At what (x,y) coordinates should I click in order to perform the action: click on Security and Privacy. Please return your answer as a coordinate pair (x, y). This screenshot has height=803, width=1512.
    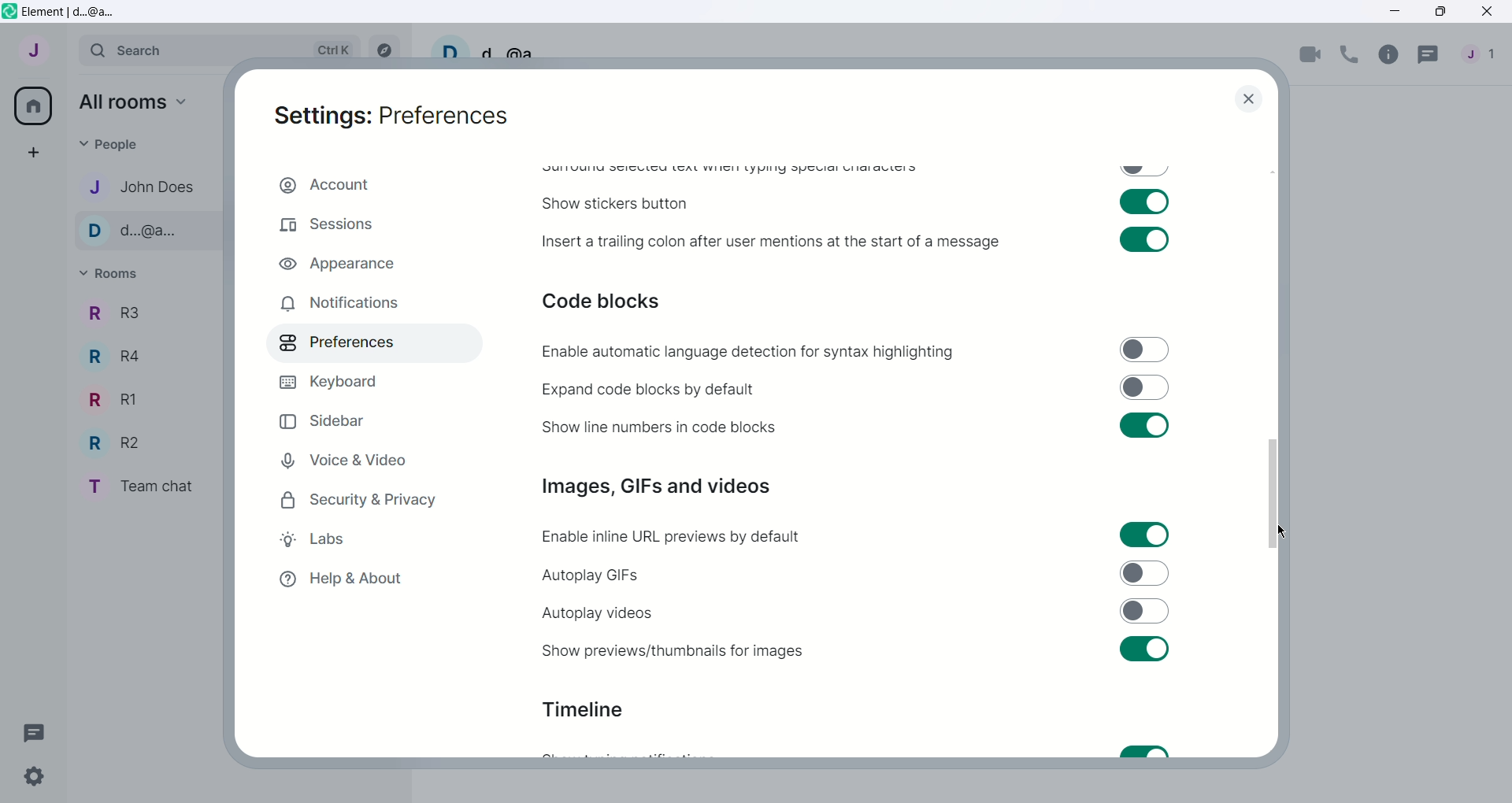
    Looking at the image, I should click on (358, 499).